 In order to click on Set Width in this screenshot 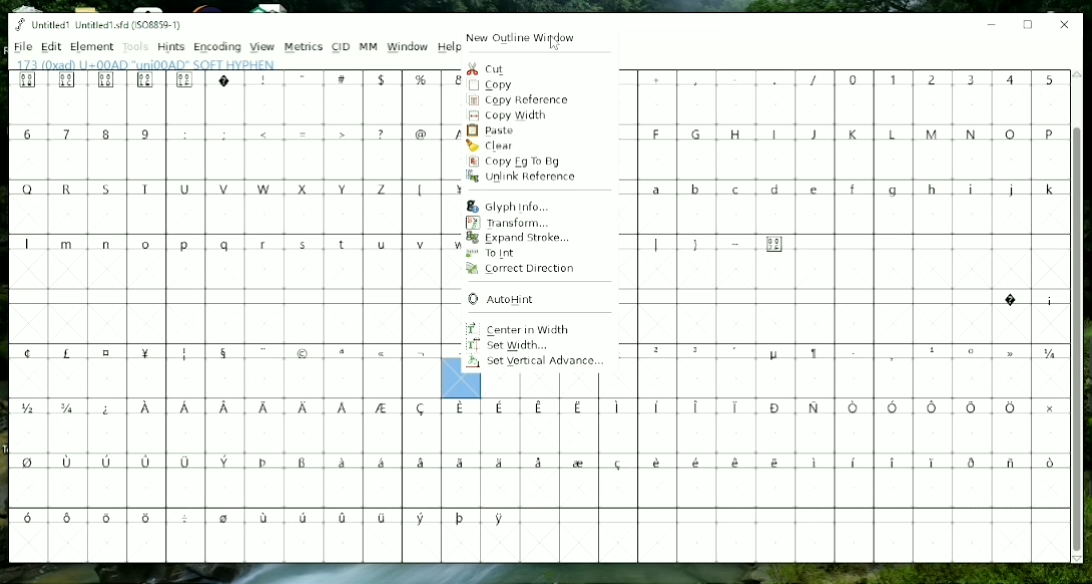, I will do `click(508, 345)`.